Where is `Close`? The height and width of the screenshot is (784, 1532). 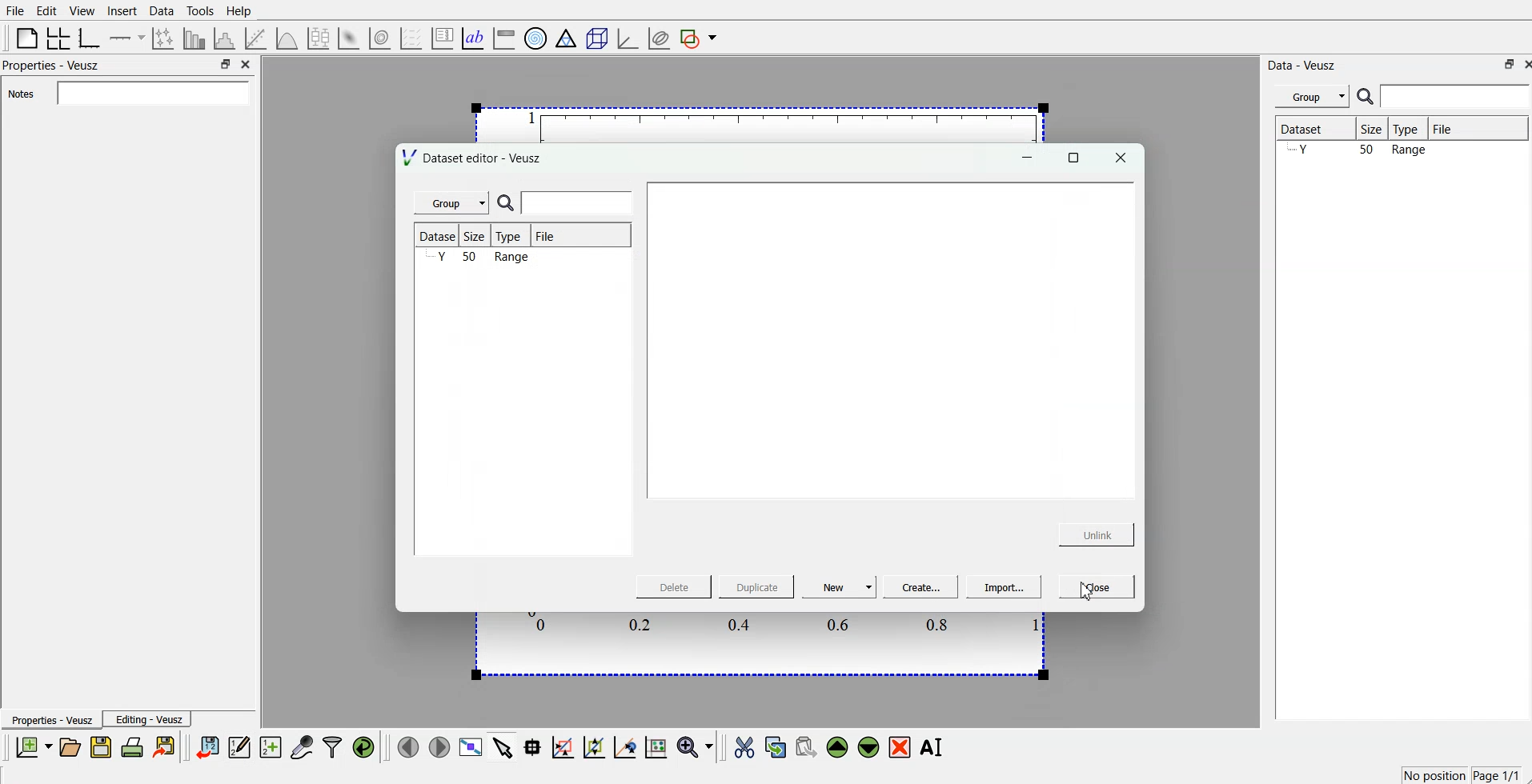 Close is located at coordinates (1094, 586).